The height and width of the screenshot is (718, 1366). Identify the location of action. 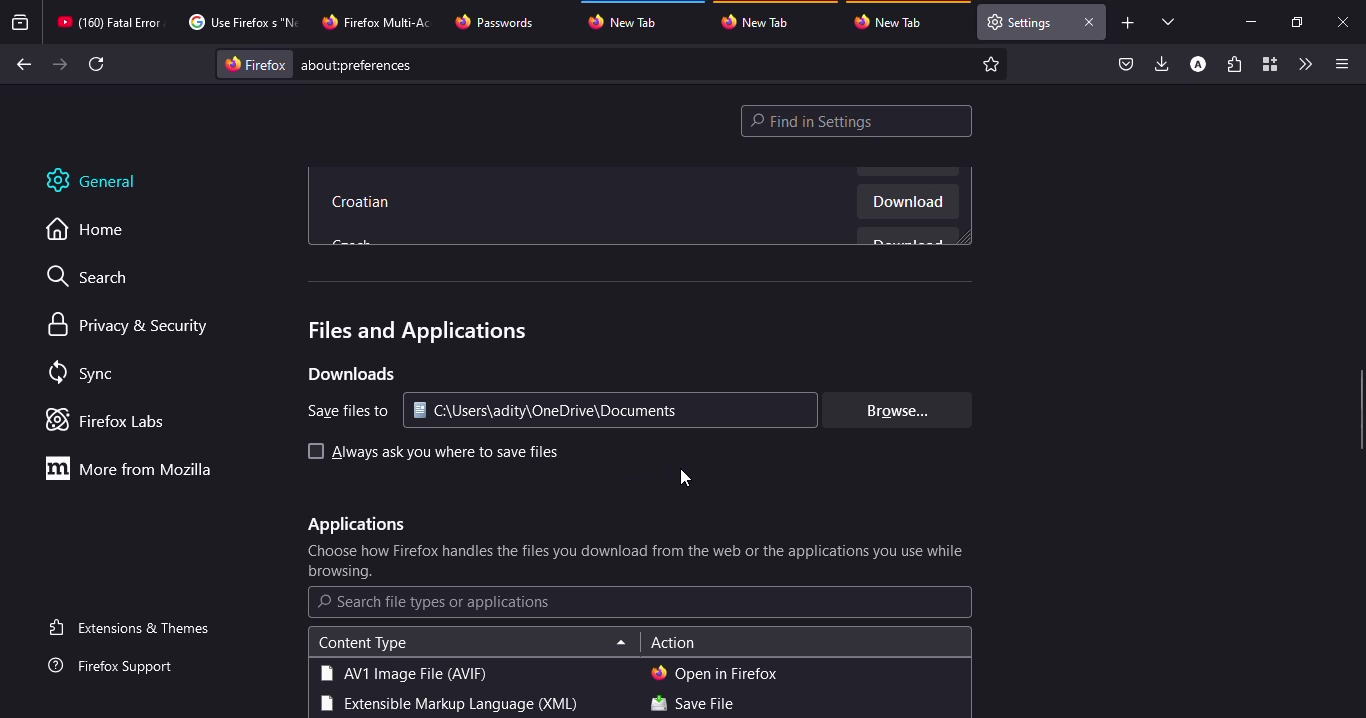
(673, 644).